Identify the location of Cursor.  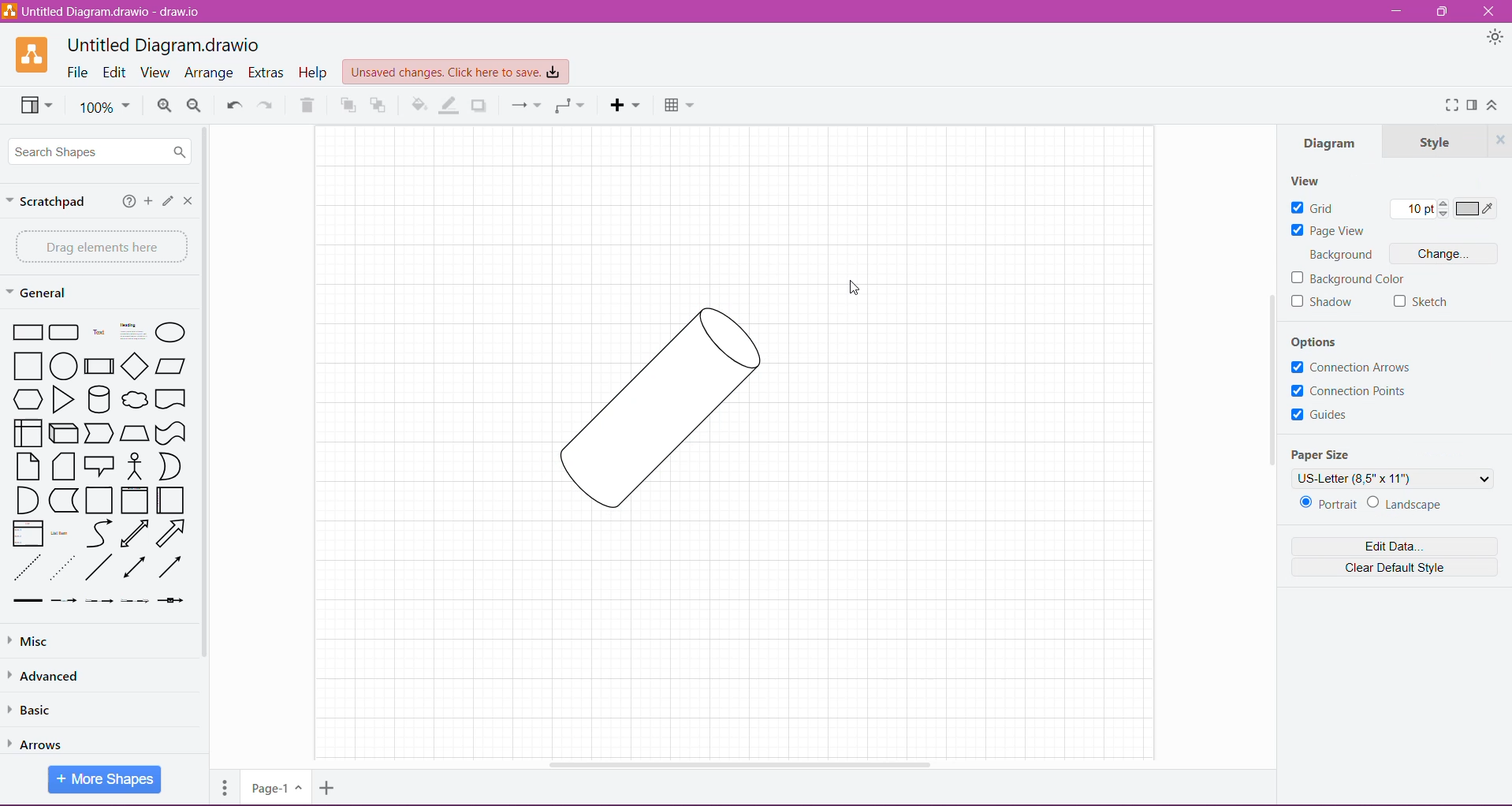
(851, 288).